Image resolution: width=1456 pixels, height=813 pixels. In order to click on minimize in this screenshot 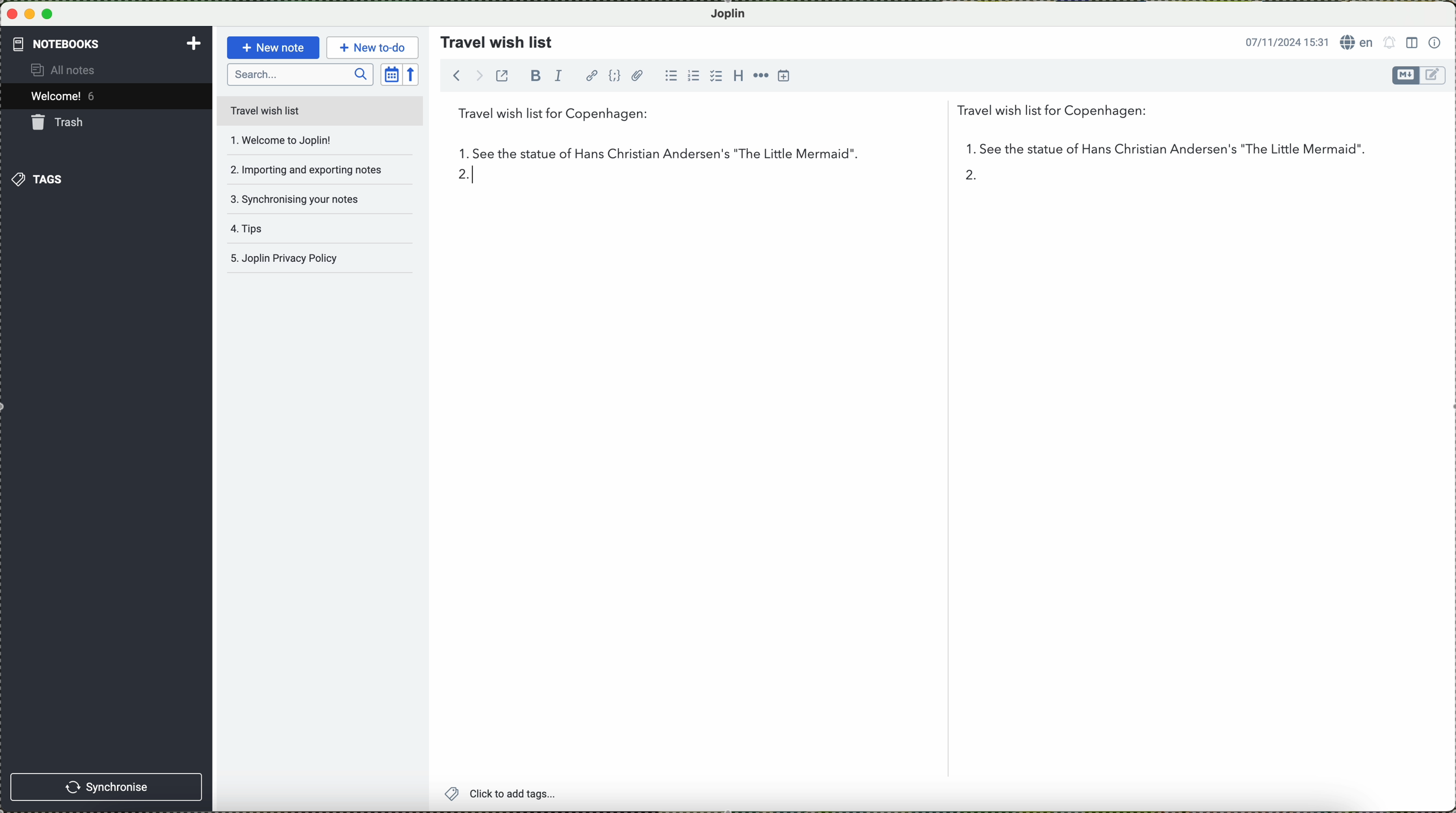, I will do `click(31, 14)`.